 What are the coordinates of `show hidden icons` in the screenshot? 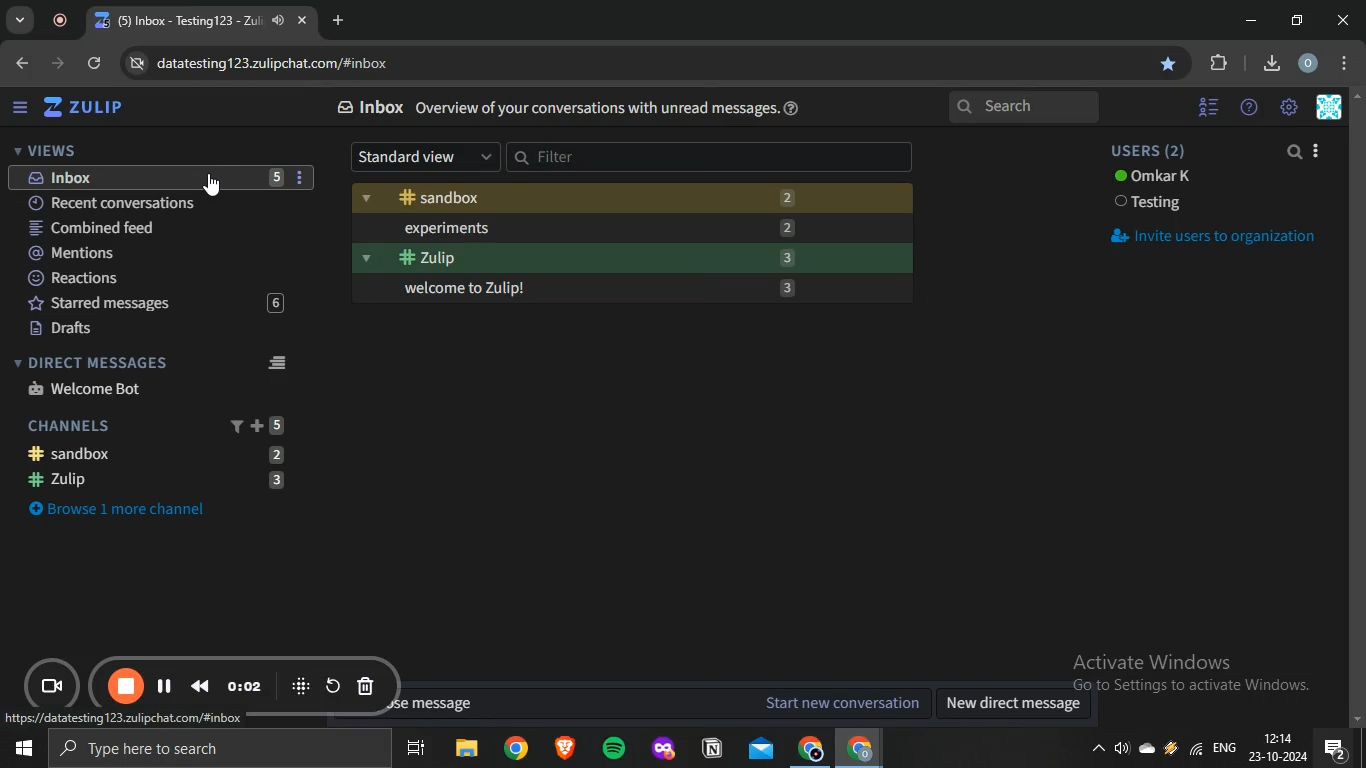 It's located at (1097, 754).